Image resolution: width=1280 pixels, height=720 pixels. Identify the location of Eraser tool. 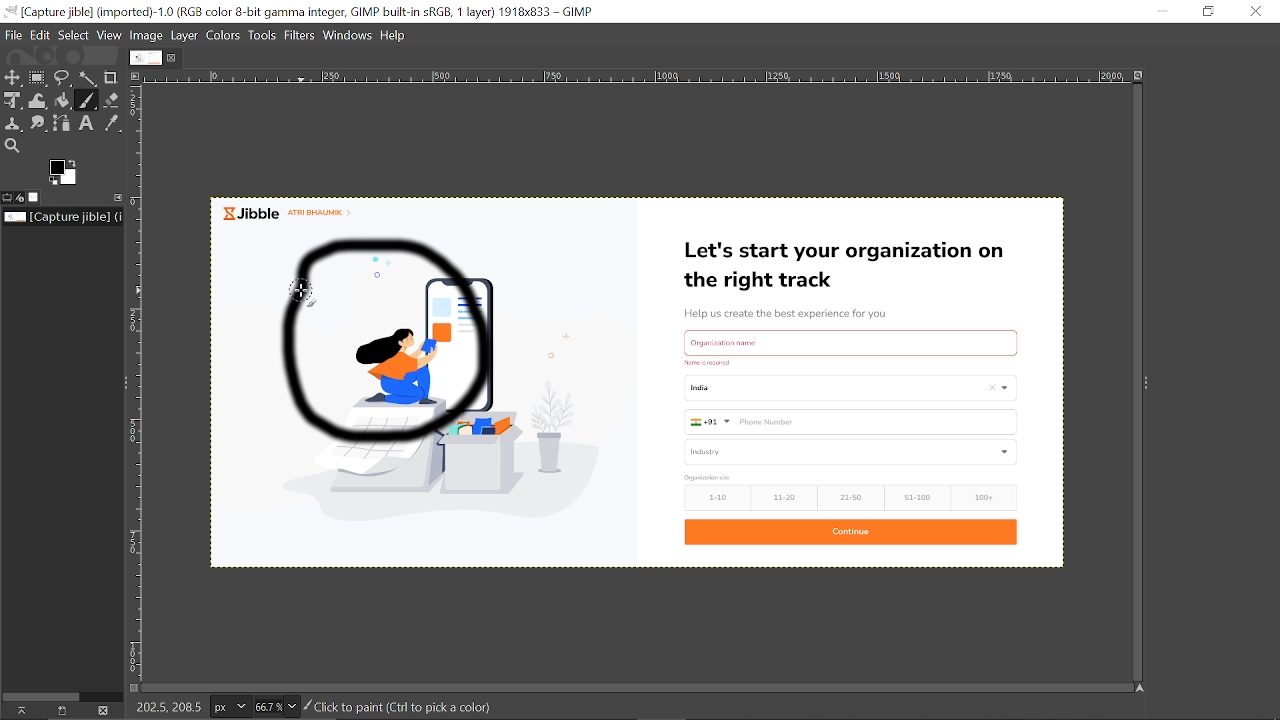
(112, 100).